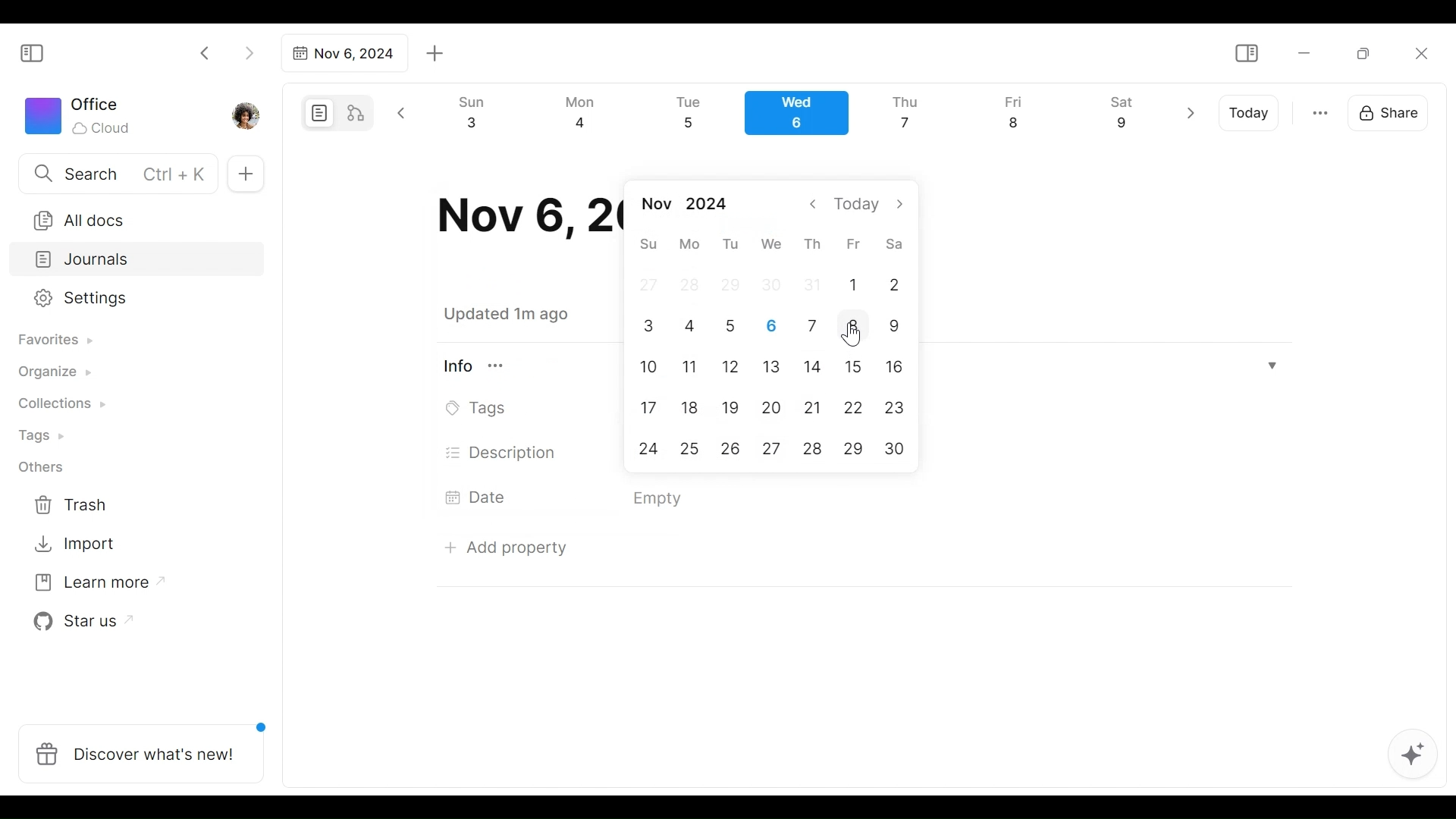 The width and height of the screenshot is (1456, 819). What do you see at coordinates (249, 52) in the screenshot?
I see `Click to go forward` at bounding box center [249, 52].